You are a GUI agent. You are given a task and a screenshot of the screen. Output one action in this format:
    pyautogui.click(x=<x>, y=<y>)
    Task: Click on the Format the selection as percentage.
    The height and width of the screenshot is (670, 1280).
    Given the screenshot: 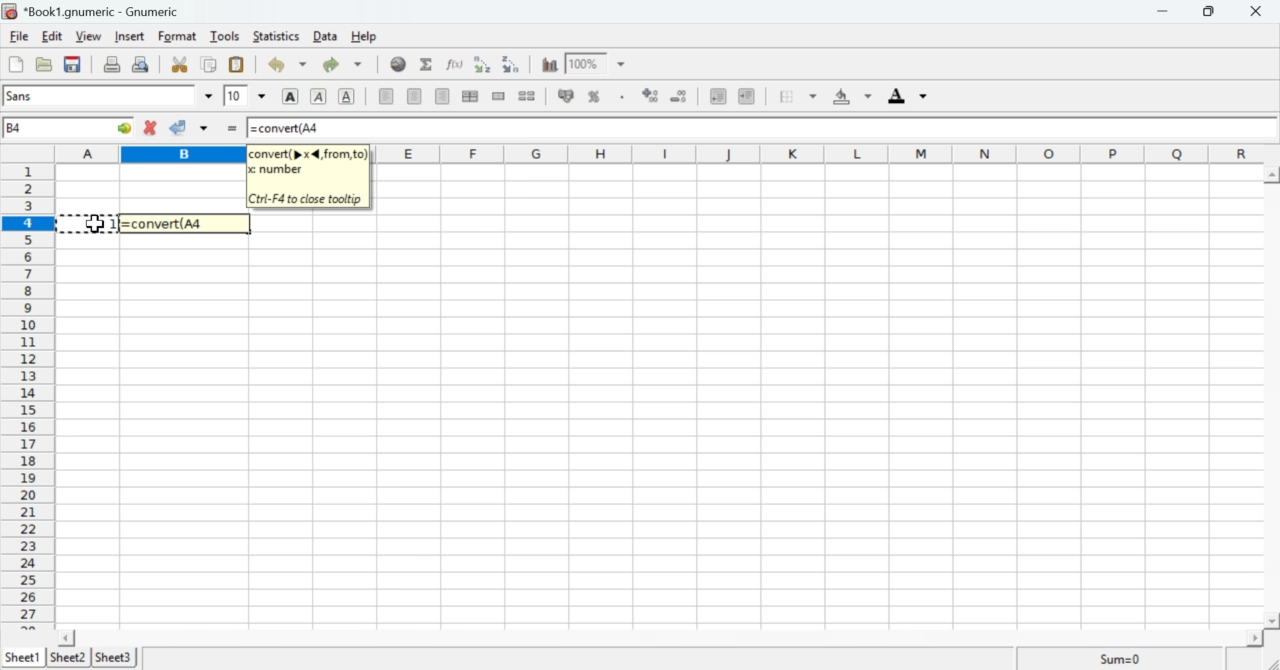 What is the action you would take?
    pyautogui.click(x=597, y=97)
    